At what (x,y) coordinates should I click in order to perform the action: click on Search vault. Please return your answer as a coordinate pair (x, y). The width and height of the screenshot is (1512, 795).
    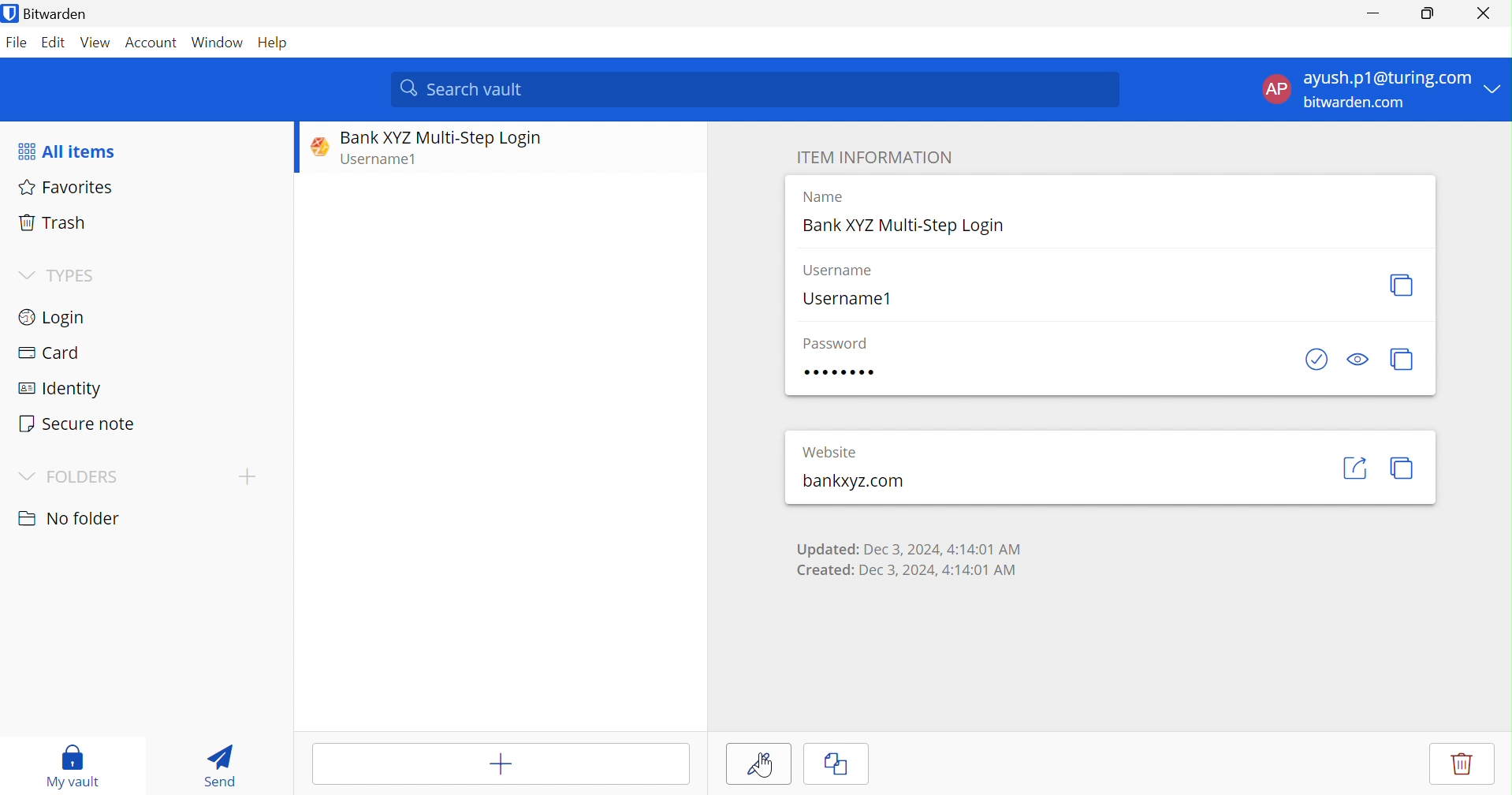
    Looking at the image, I should click on (758, 88).